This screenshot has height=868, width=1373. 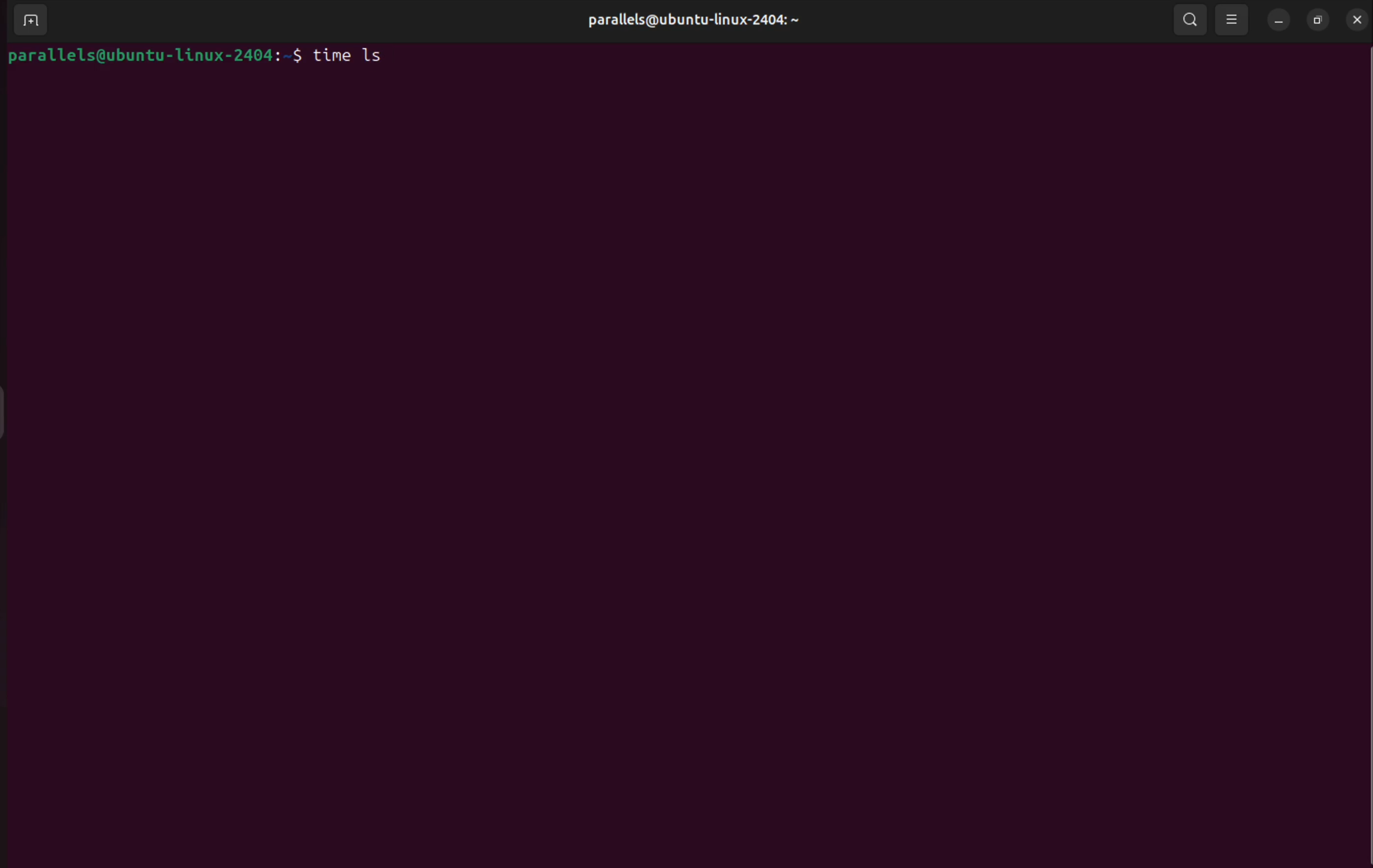 What do you see at coordinates (36, 19) in the screenshot?
I see `add terminal` at bounding box center [36, 19].